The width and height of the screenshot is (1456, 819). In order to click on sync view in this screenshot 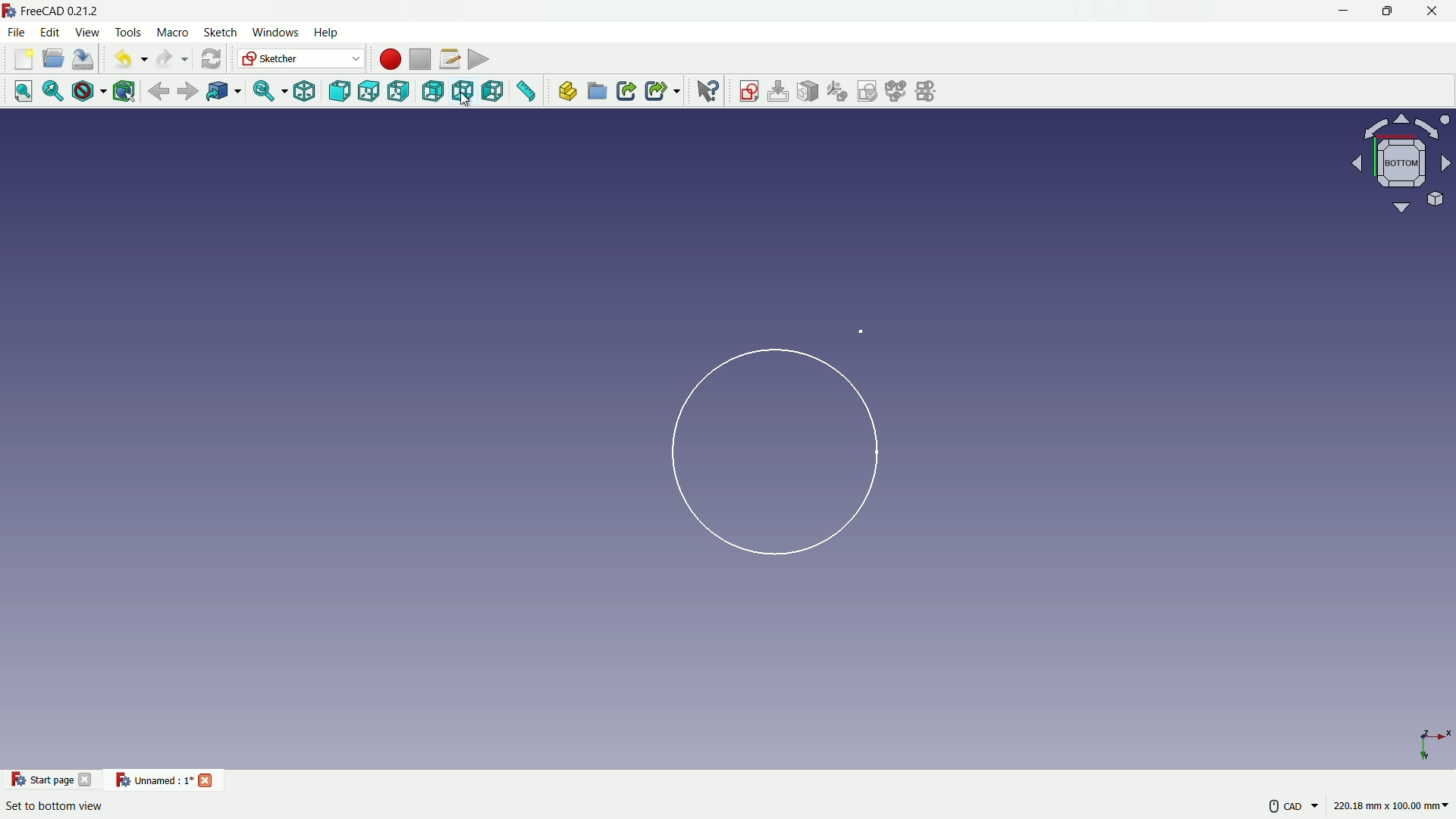, I will do `click(267, 92)`.